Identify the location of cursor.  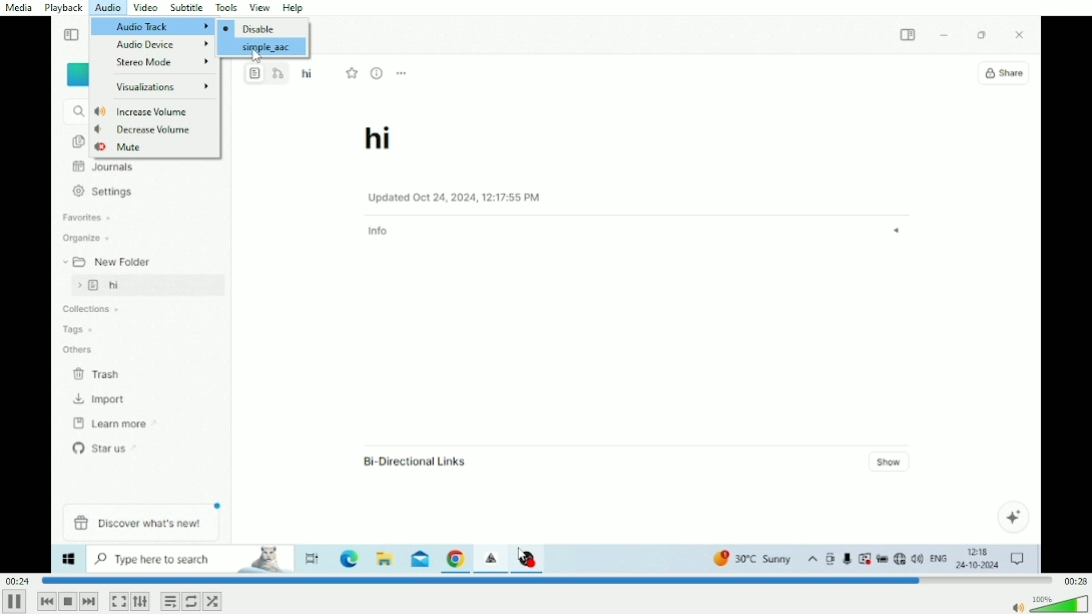
(257, 57).